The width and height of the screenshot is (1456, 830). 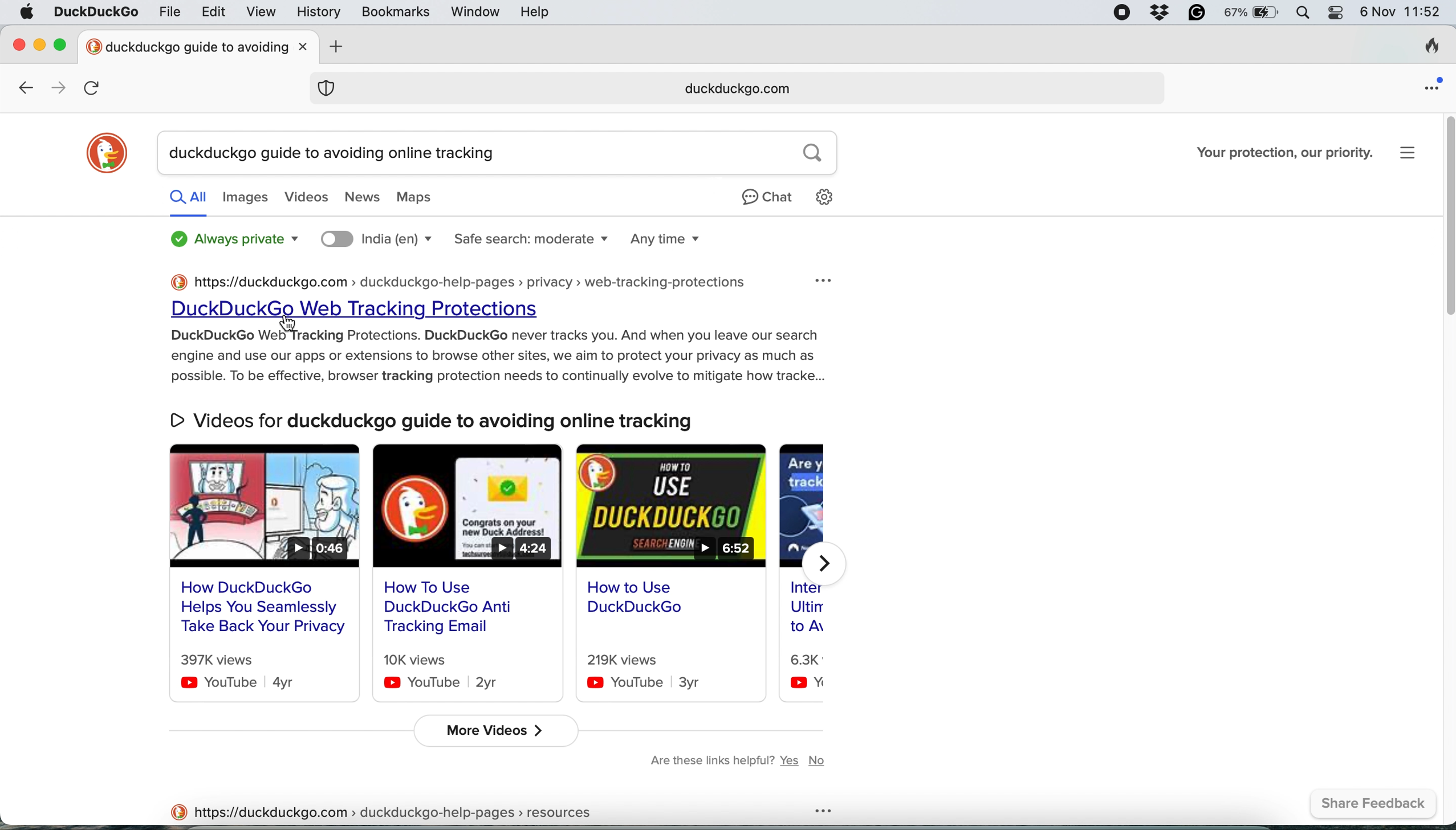 What do you see at coordinates (420, 660) in the screenshot?
I see `10k views` at bounding box center [420, 660].